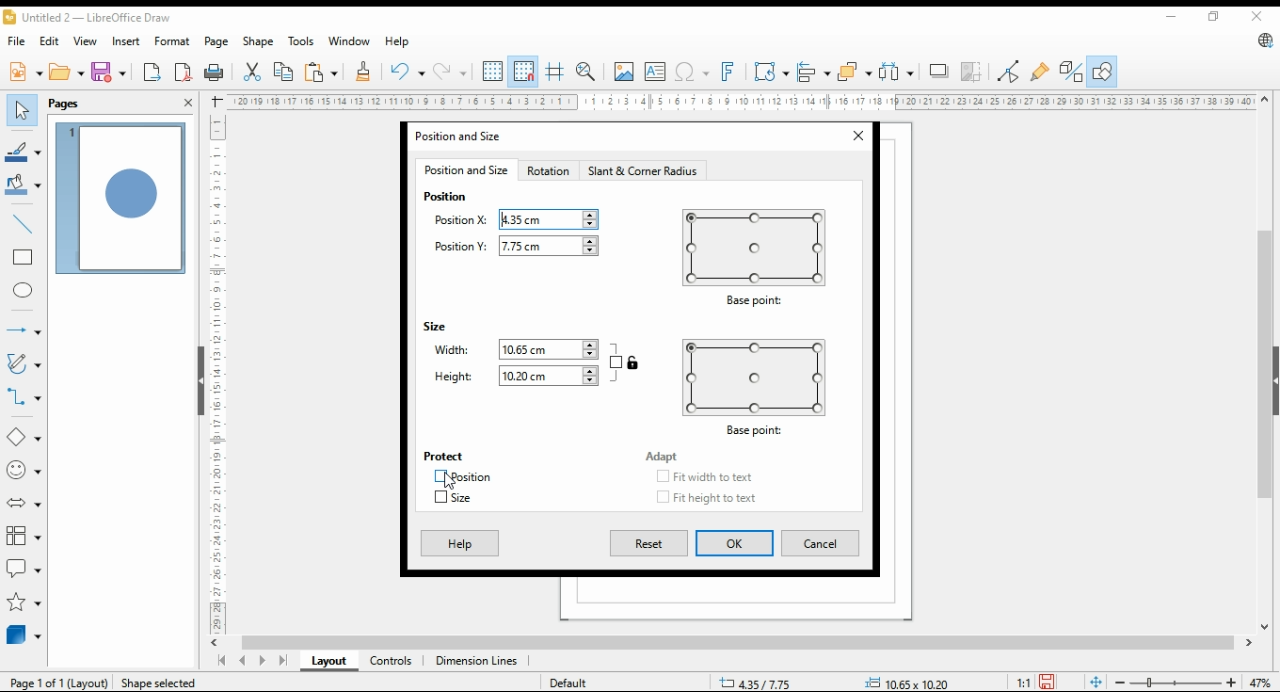 The height and width of the screenshot is (692, 1280). What do you see at coordinates (216, 42) in the screenshot?
I see `page` at bounding box center [216, 42].